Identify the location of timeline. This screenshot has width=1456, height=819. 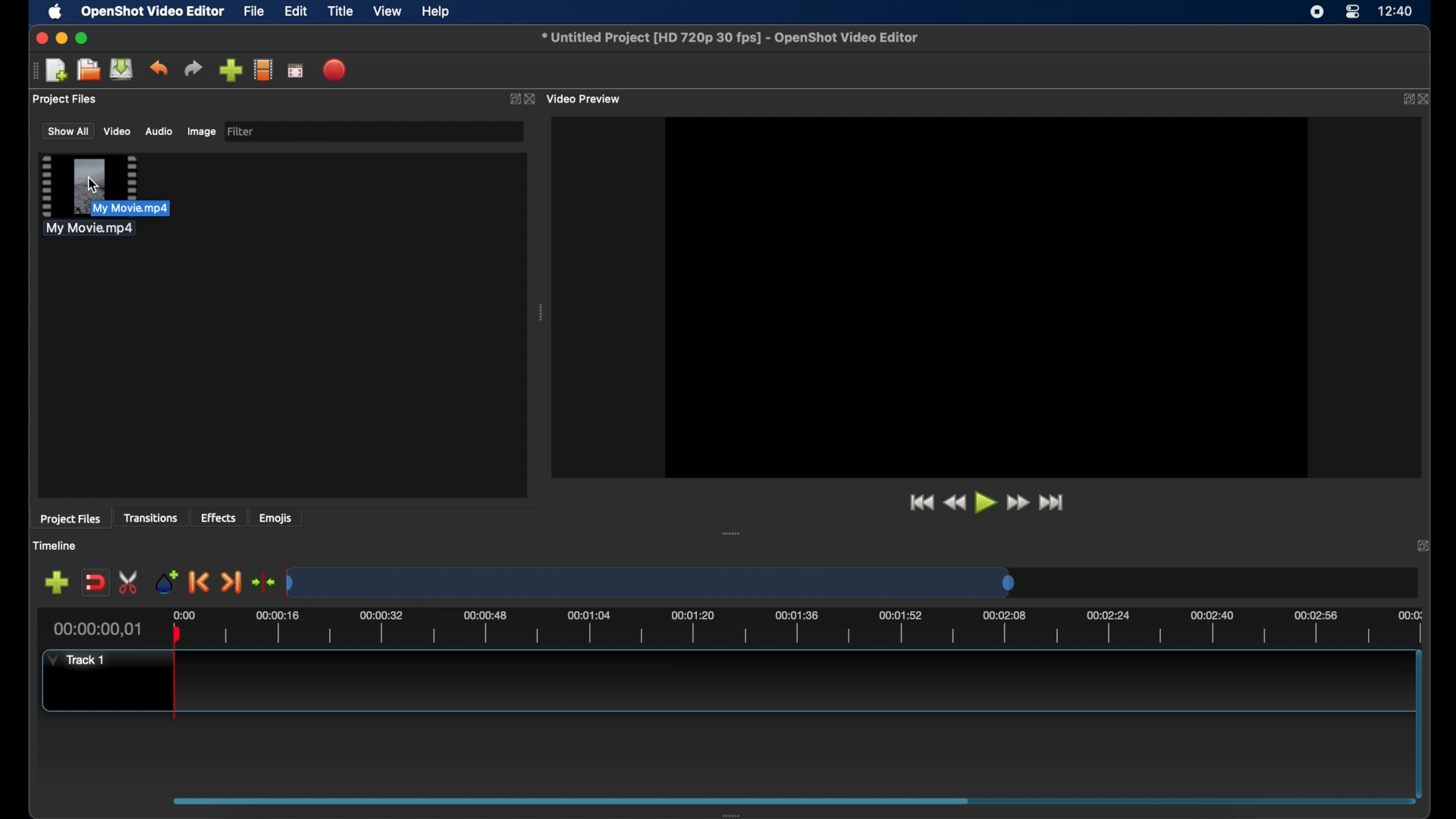
(57, 547).